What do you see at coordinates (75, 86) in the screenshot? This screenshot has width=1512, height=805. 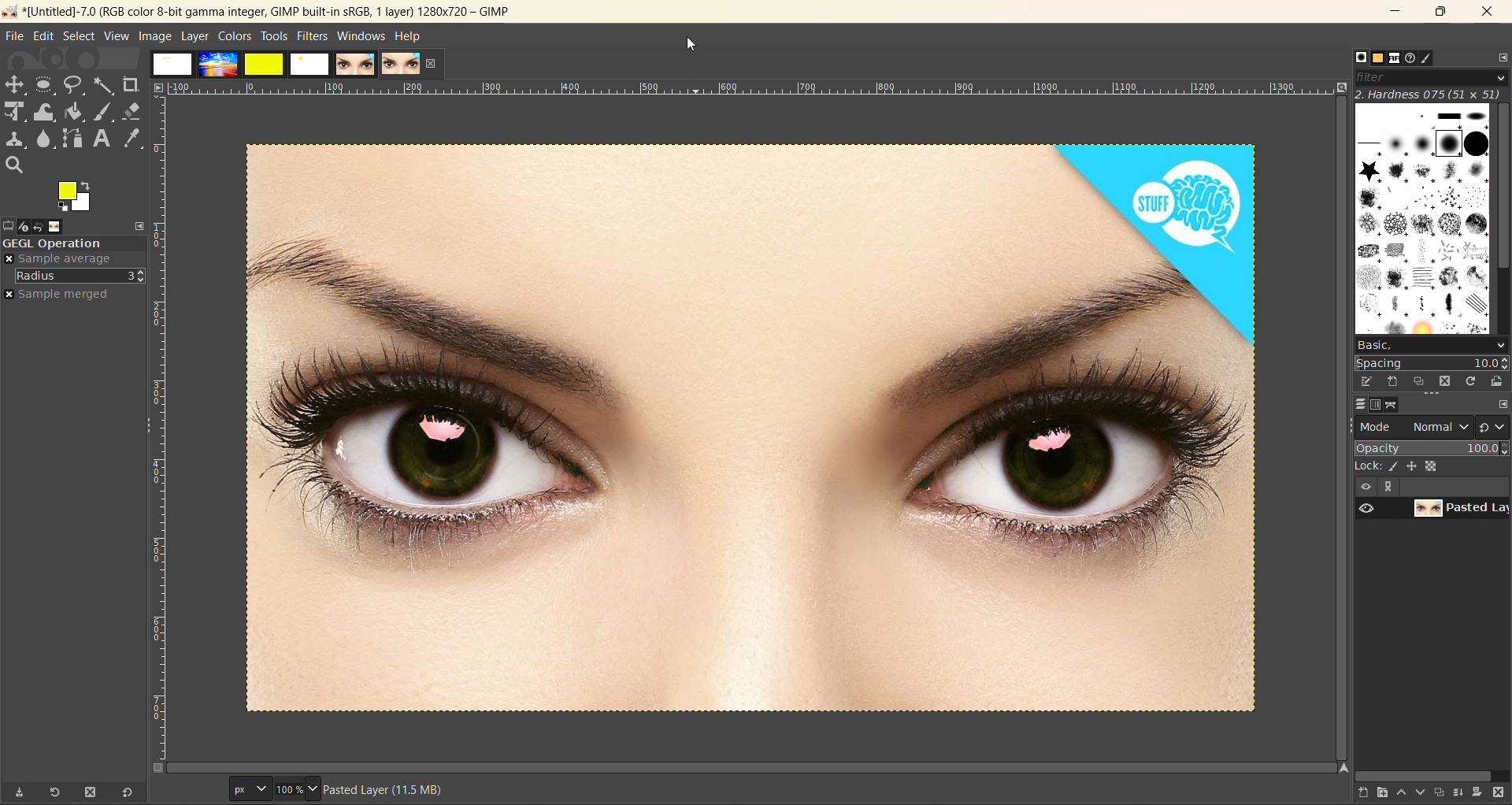 I see `free select tool` at bounding box center [75, 86].